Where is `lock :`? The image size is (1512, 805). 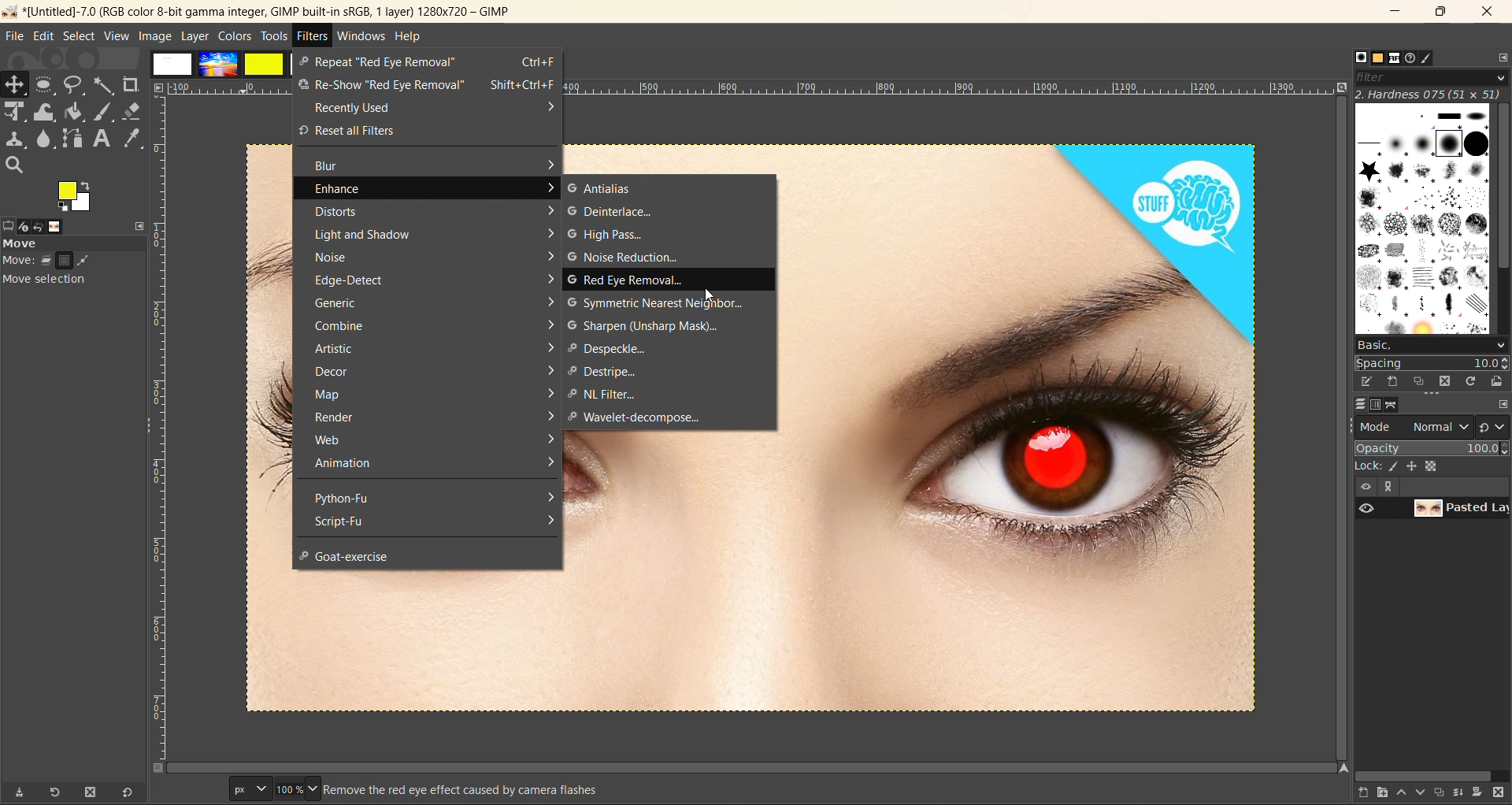
lock : is located at coordinates (1366, 466).